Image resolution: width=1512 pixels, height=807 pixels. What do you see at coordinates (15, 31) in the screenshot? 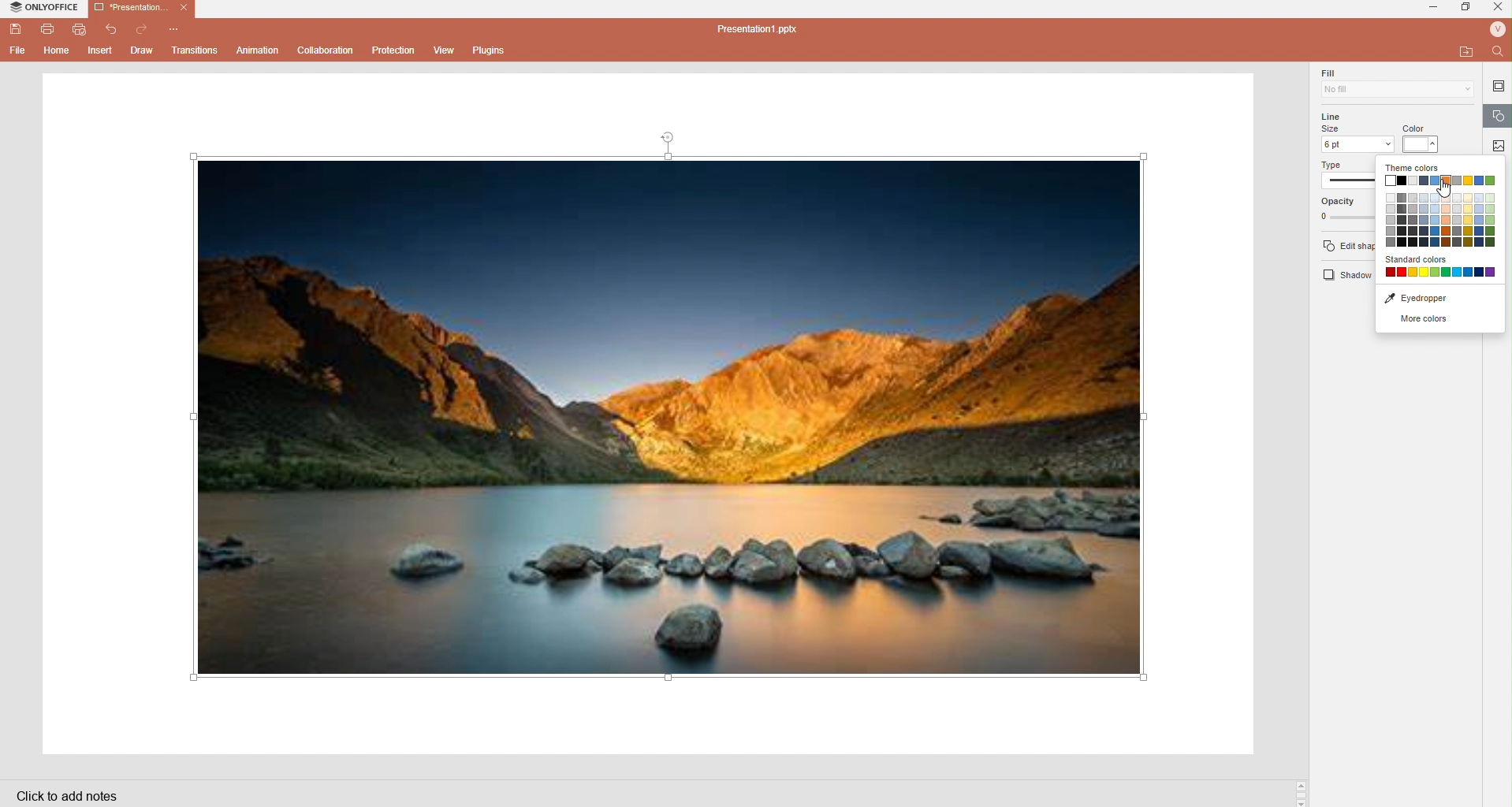
I see `Save file` at bounding box center [15, 31].